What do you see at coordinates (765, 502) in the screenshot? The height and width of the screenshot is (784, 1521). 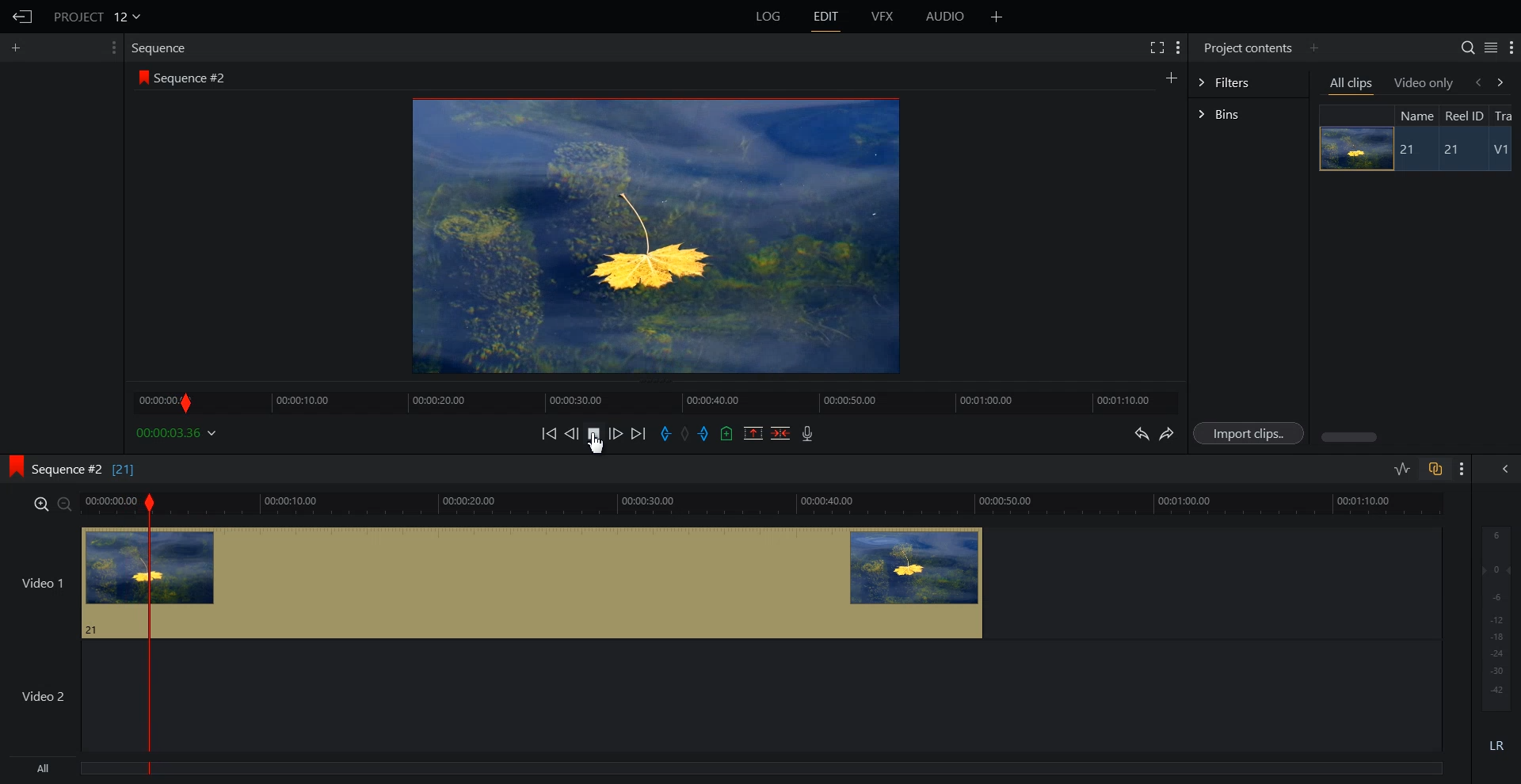 I see `video time` at bounding box center [765, 502].